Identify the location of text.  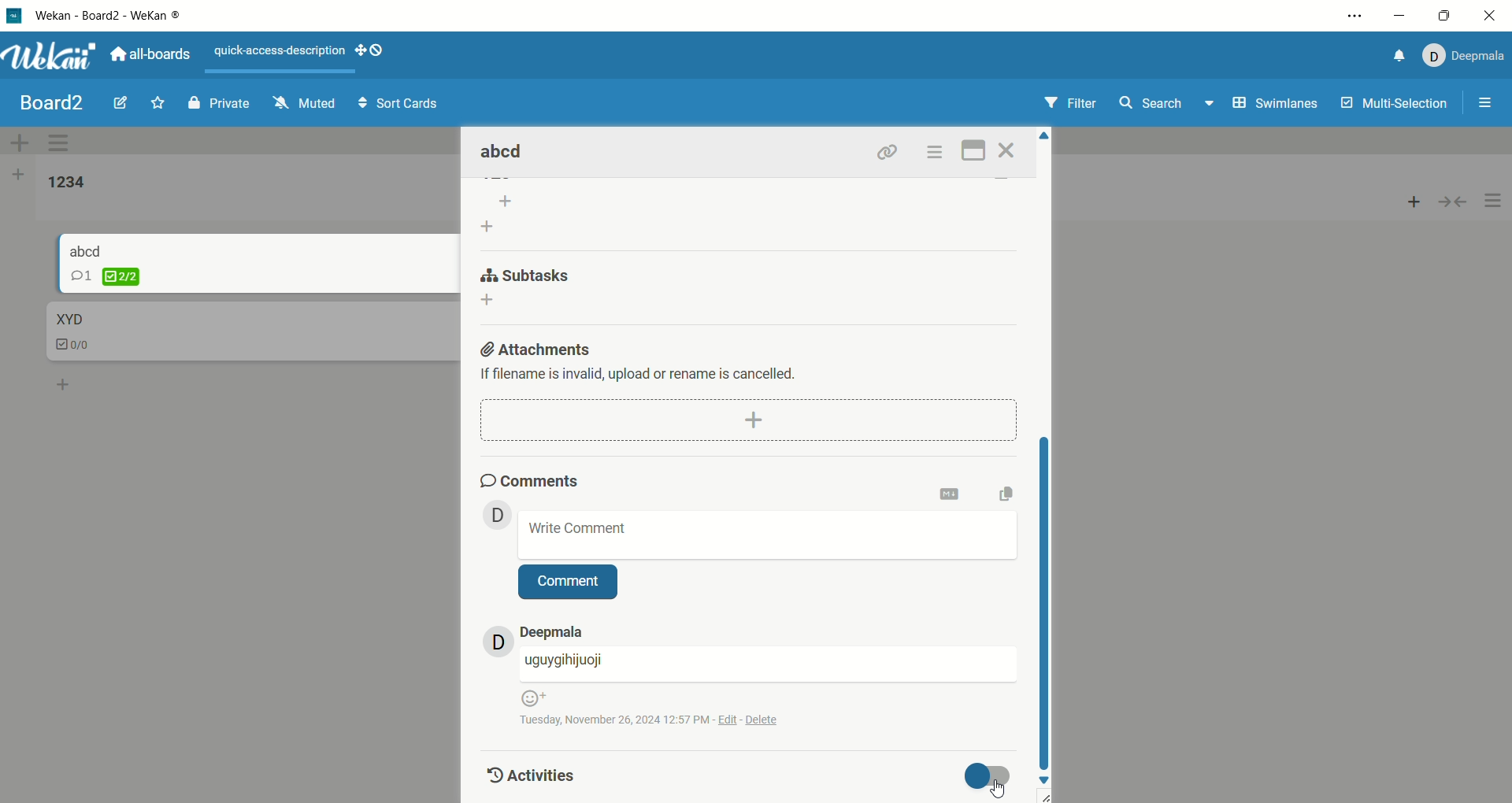
(281, 52).